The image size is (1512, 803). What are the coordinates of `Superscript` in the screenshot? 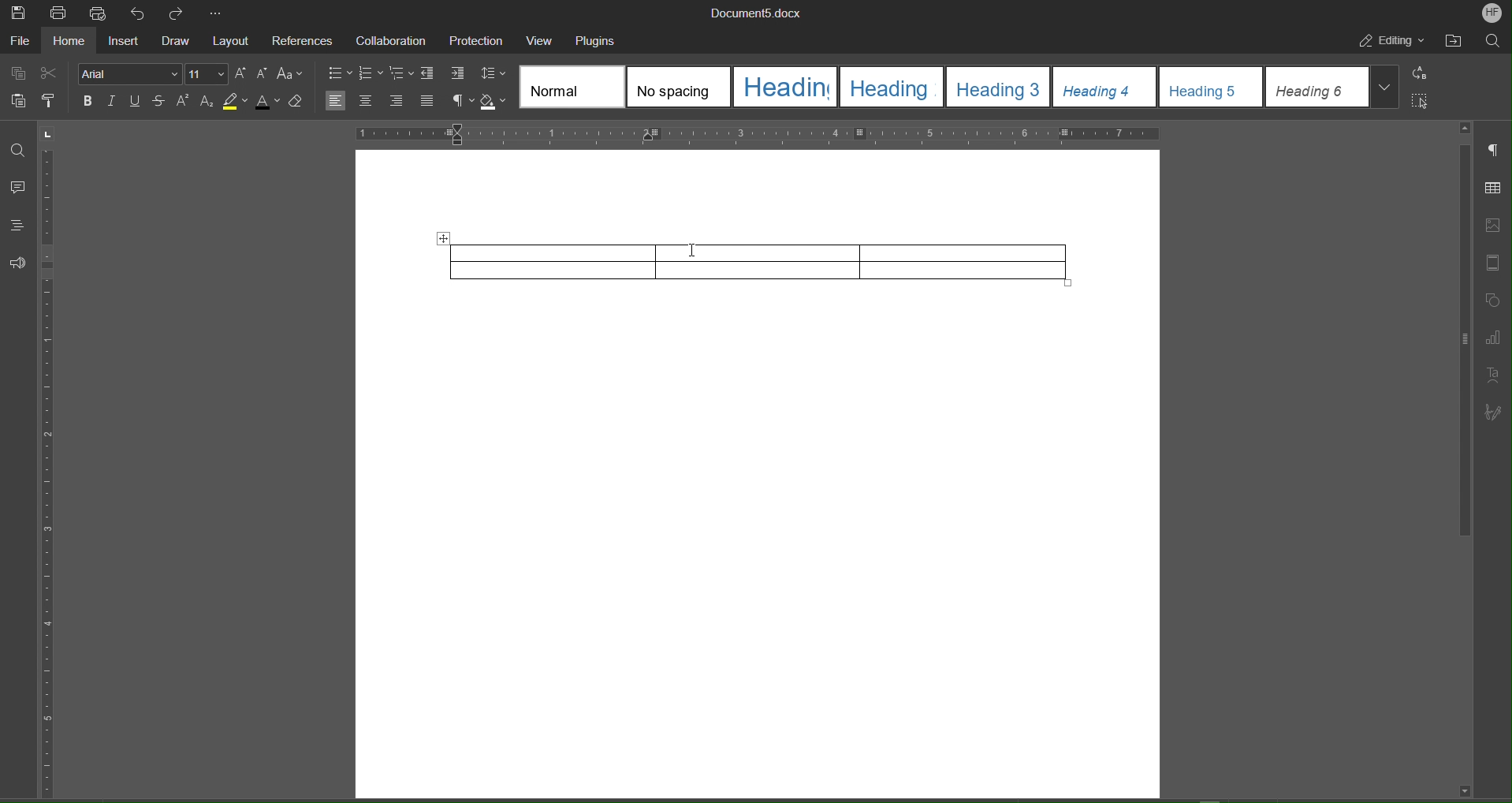 It's located at (184, 102).